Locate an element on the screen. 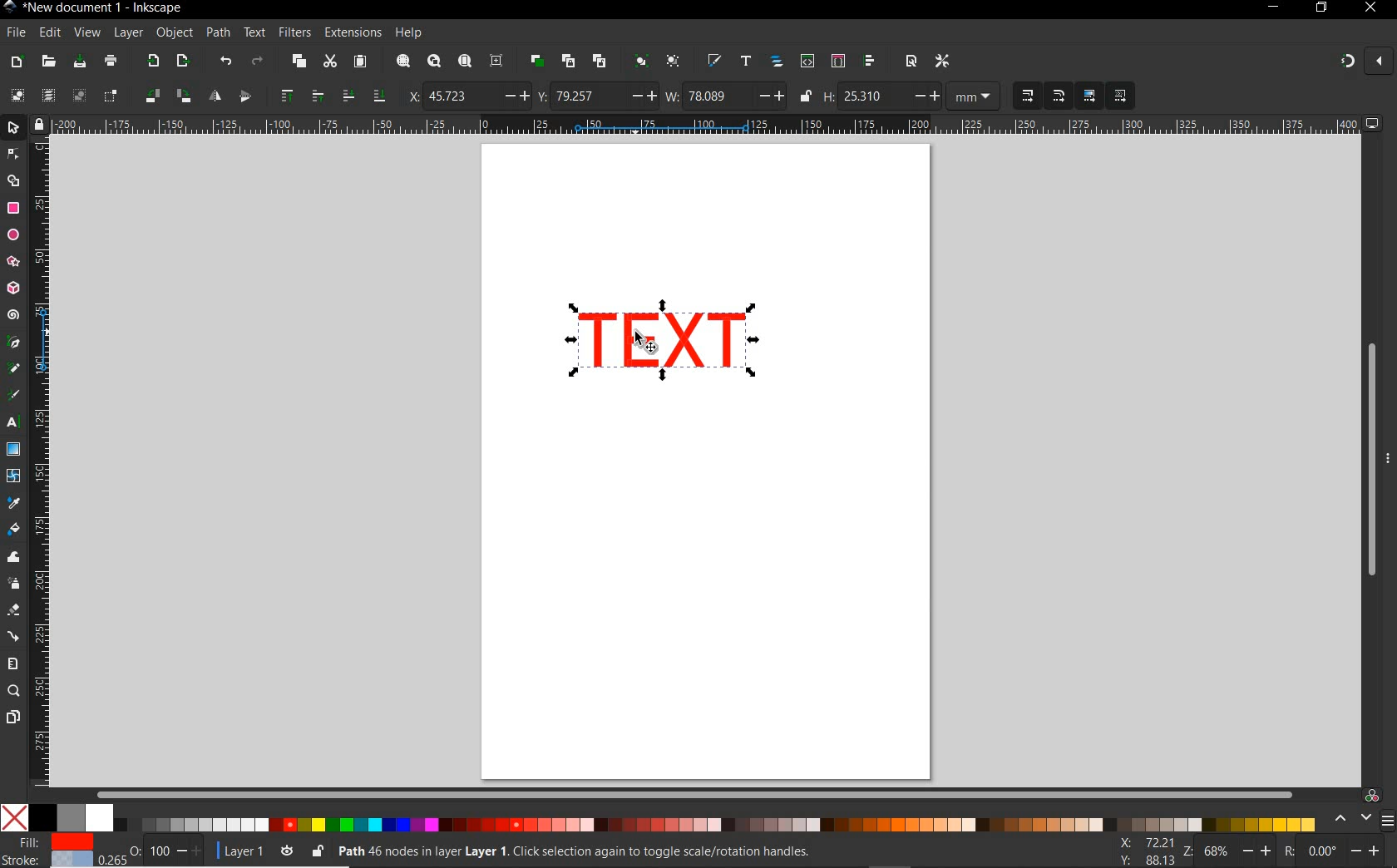 Image resolution: width=1397 pixels, height=868 pixels. OPEN EXPORT is located at coordinates (184, 62).